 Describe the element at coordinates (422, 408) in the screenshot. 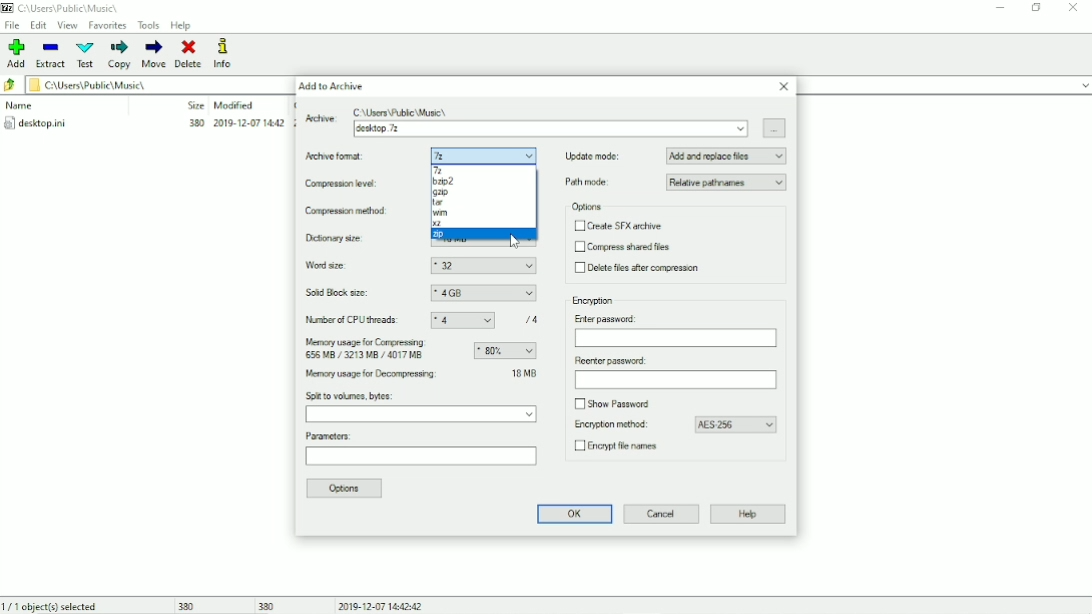

I see `Split to volumes` at that location.